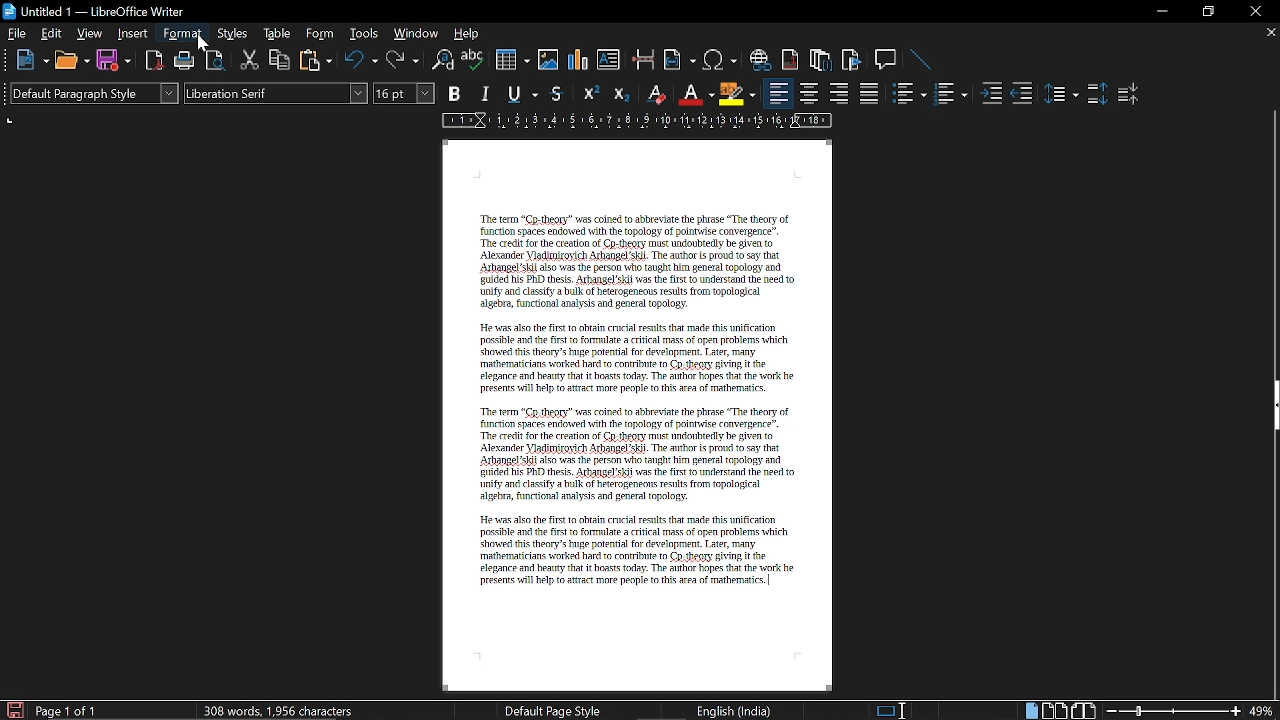 This screenshot has height=720, width=1280. What do you see at coordinates (52, 33) in the screenshot?
I see `Edit` at bounding box center [52, 33].